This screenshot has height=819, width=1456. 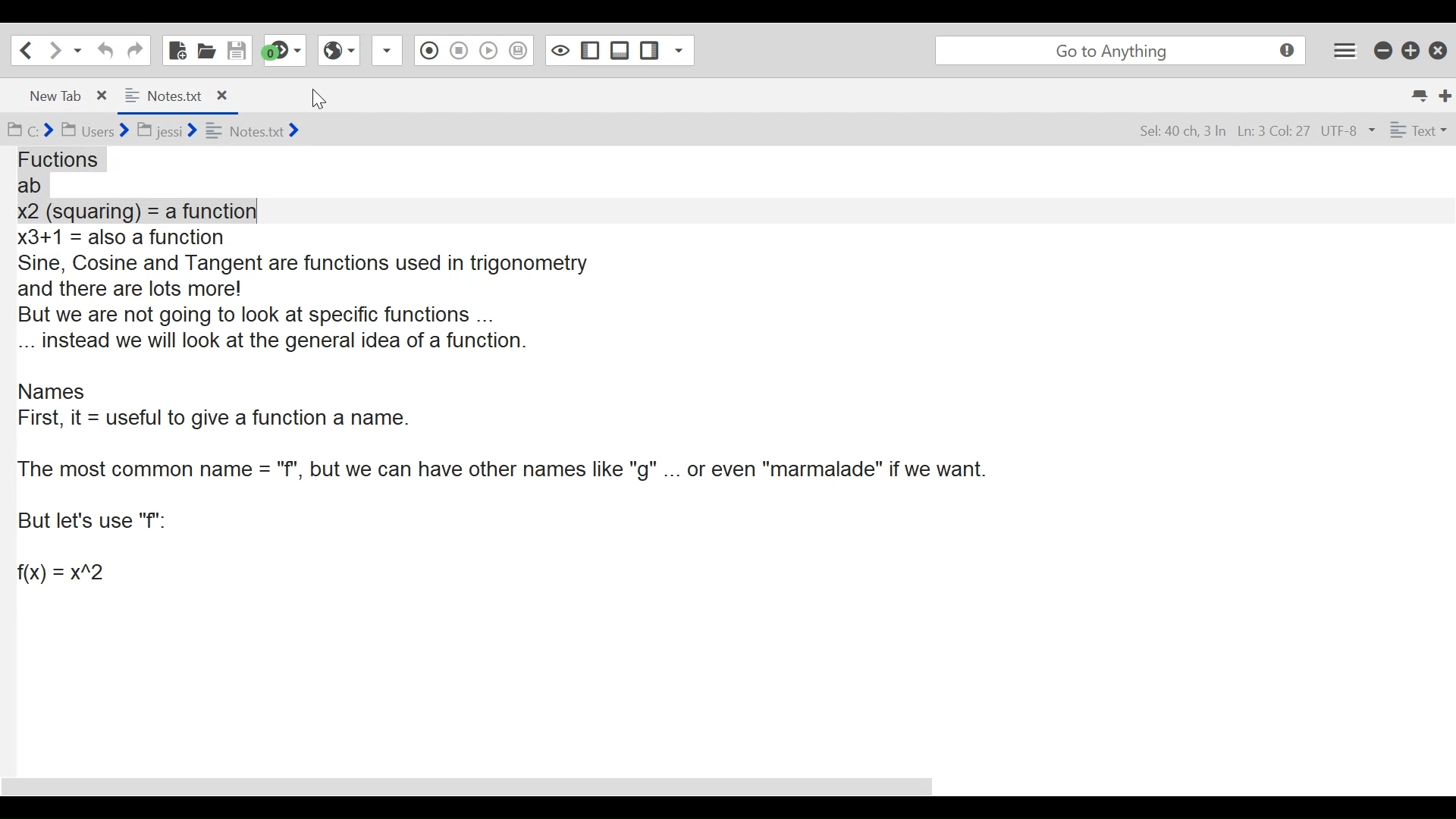 I want to click on cursor, so click(x=326, y=99).